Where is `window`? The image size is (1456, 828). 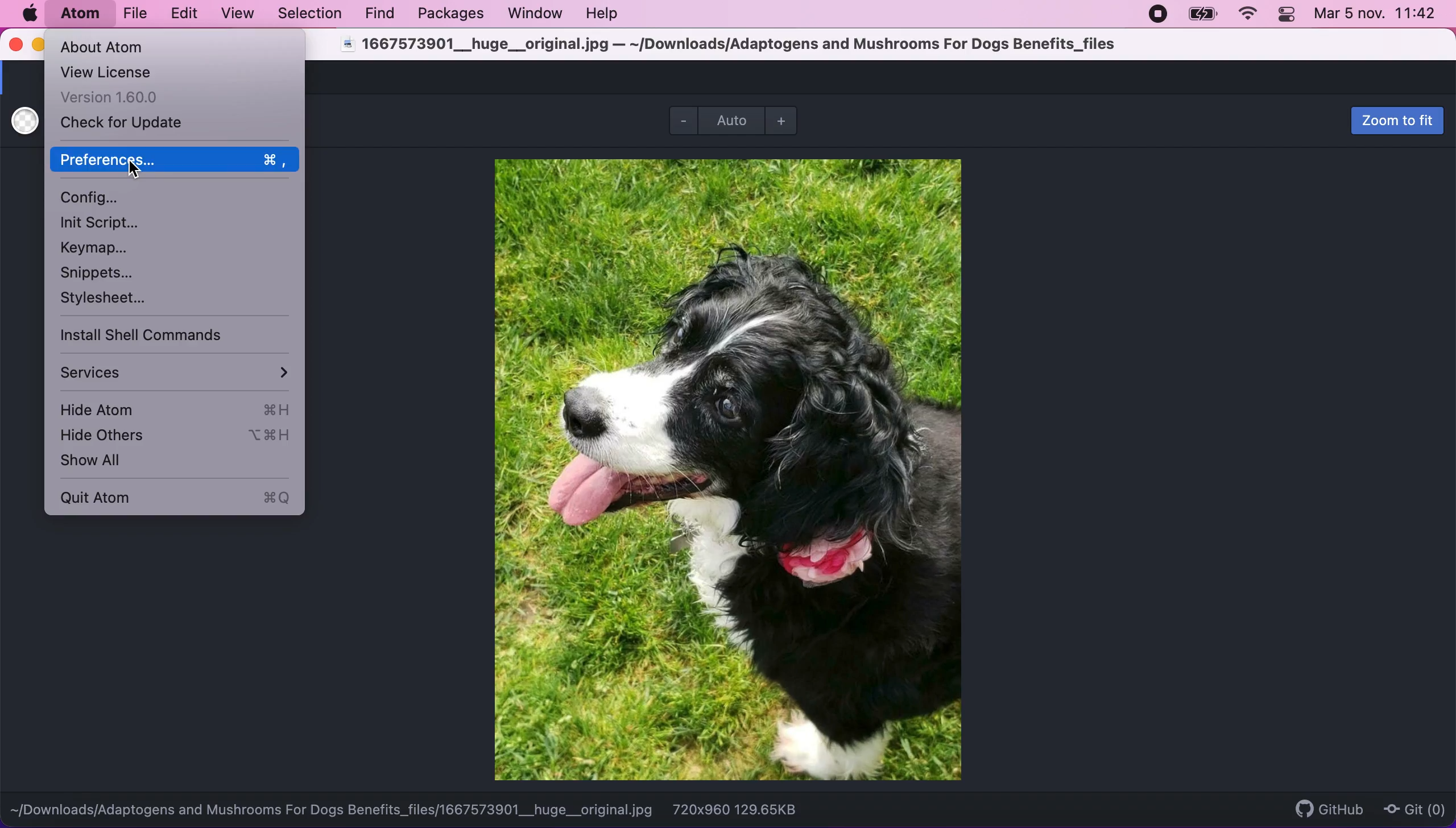
window is located at coordinates (537, 15).